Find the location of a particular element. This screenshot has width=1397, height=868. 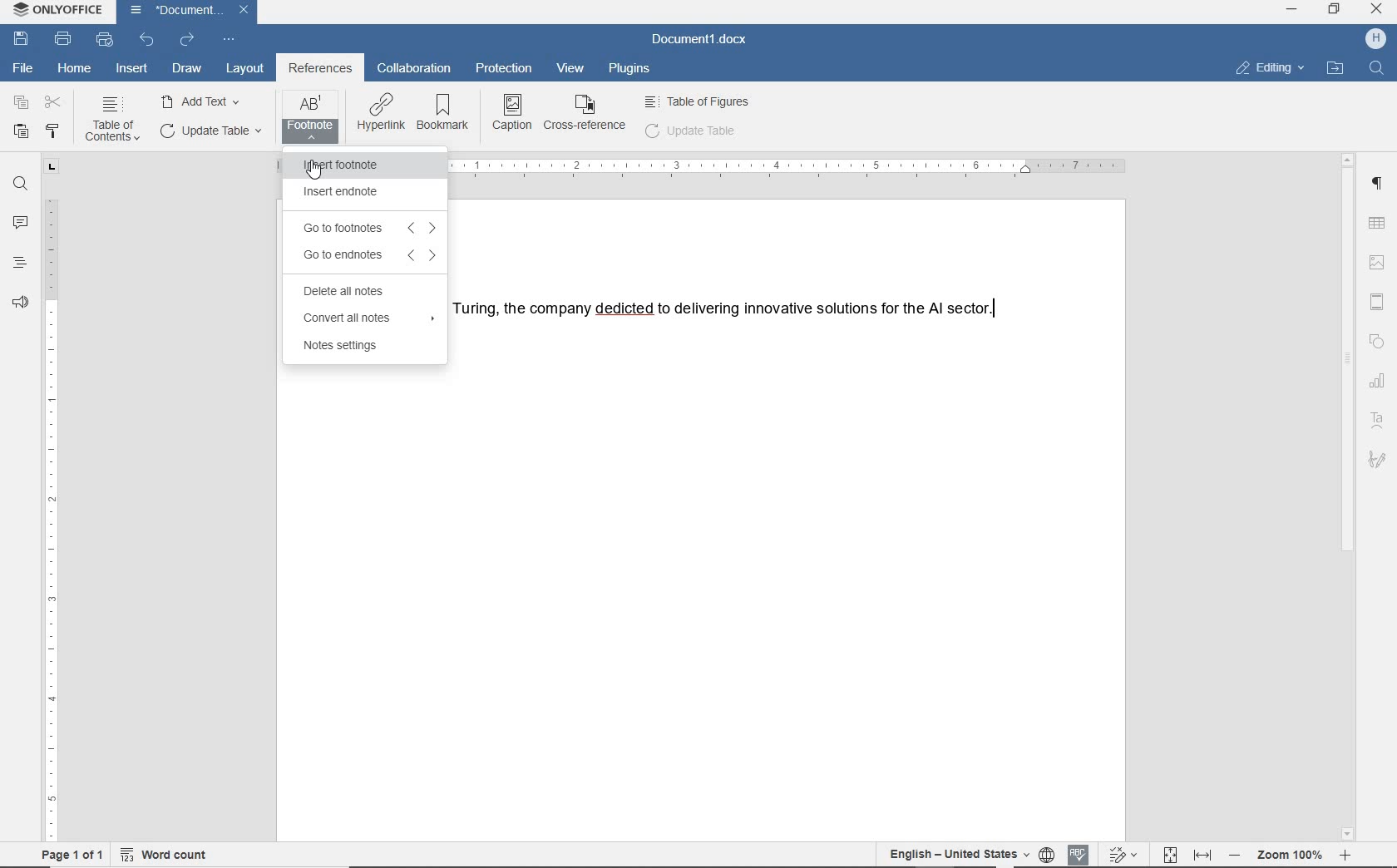

find is located at coordinates (1380, 67).